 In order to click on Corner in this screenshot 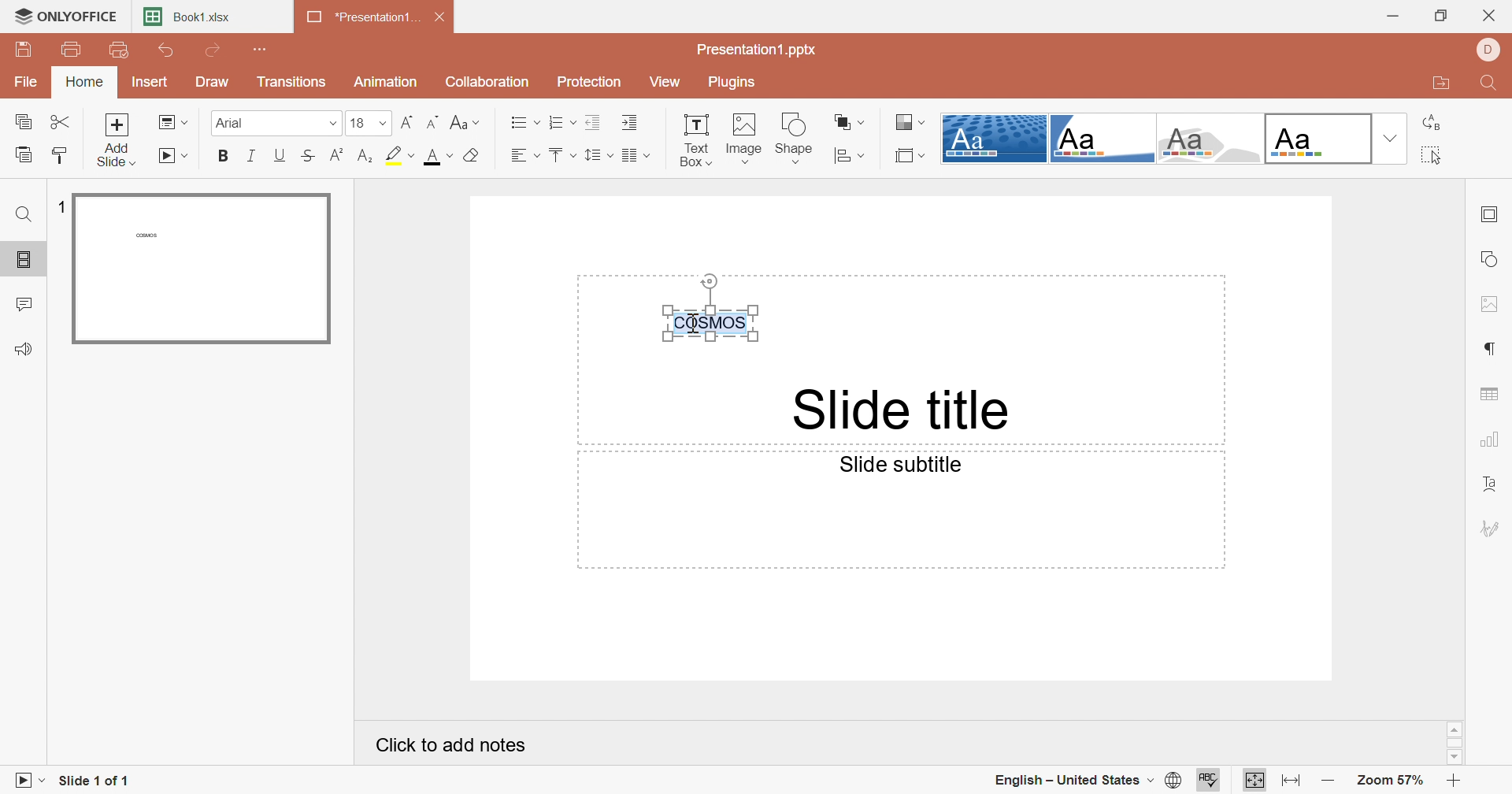, I will do `click(1103, 139)`.